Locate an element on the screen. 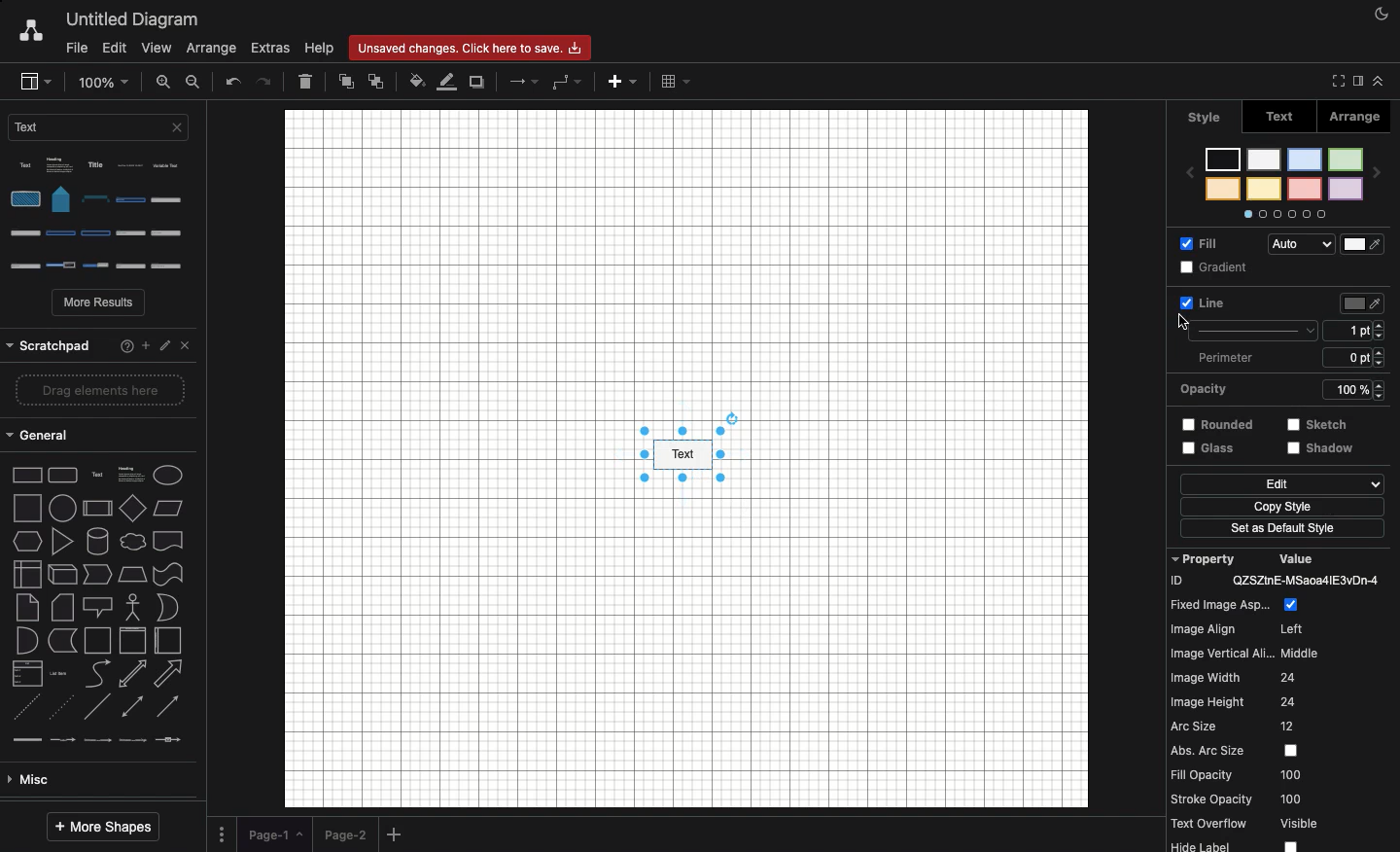  Untitled is located at coordinates (133, 20).